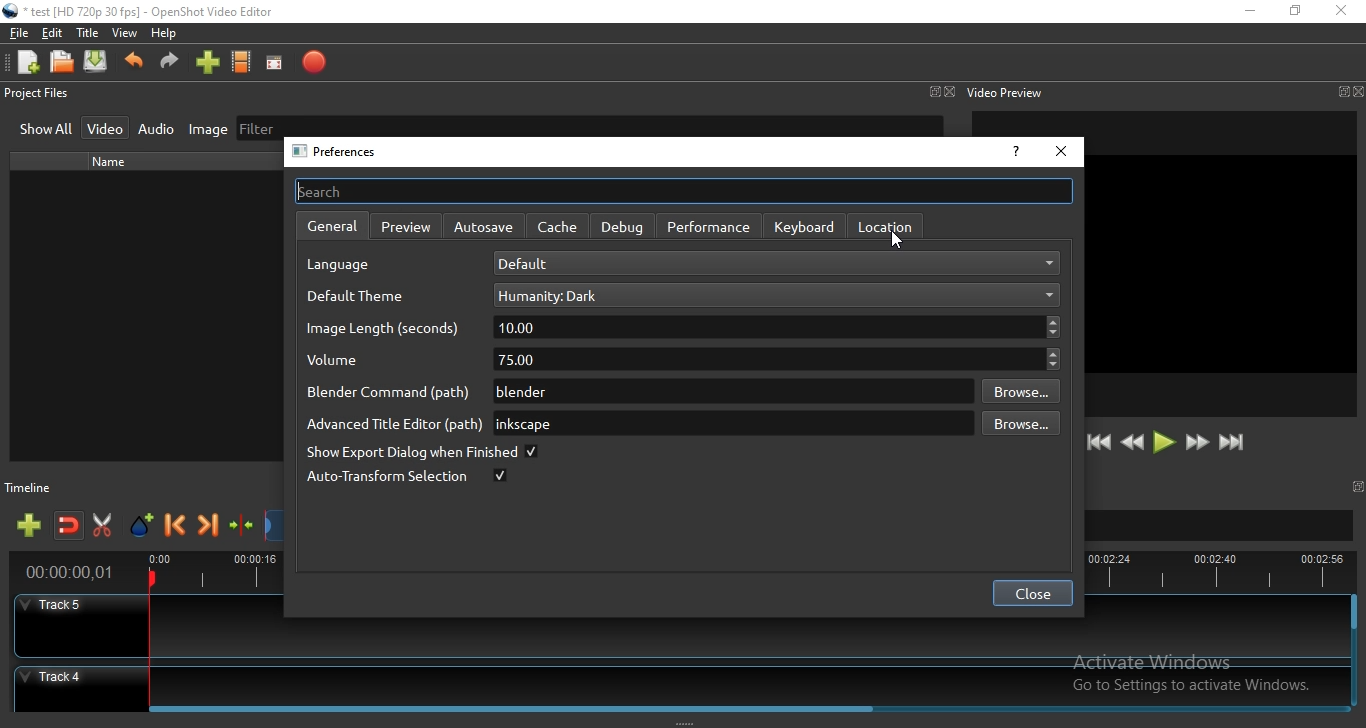 The height and width of the screenshot is (728, 1366). I want to click on Enable razor, so click(106, 526).